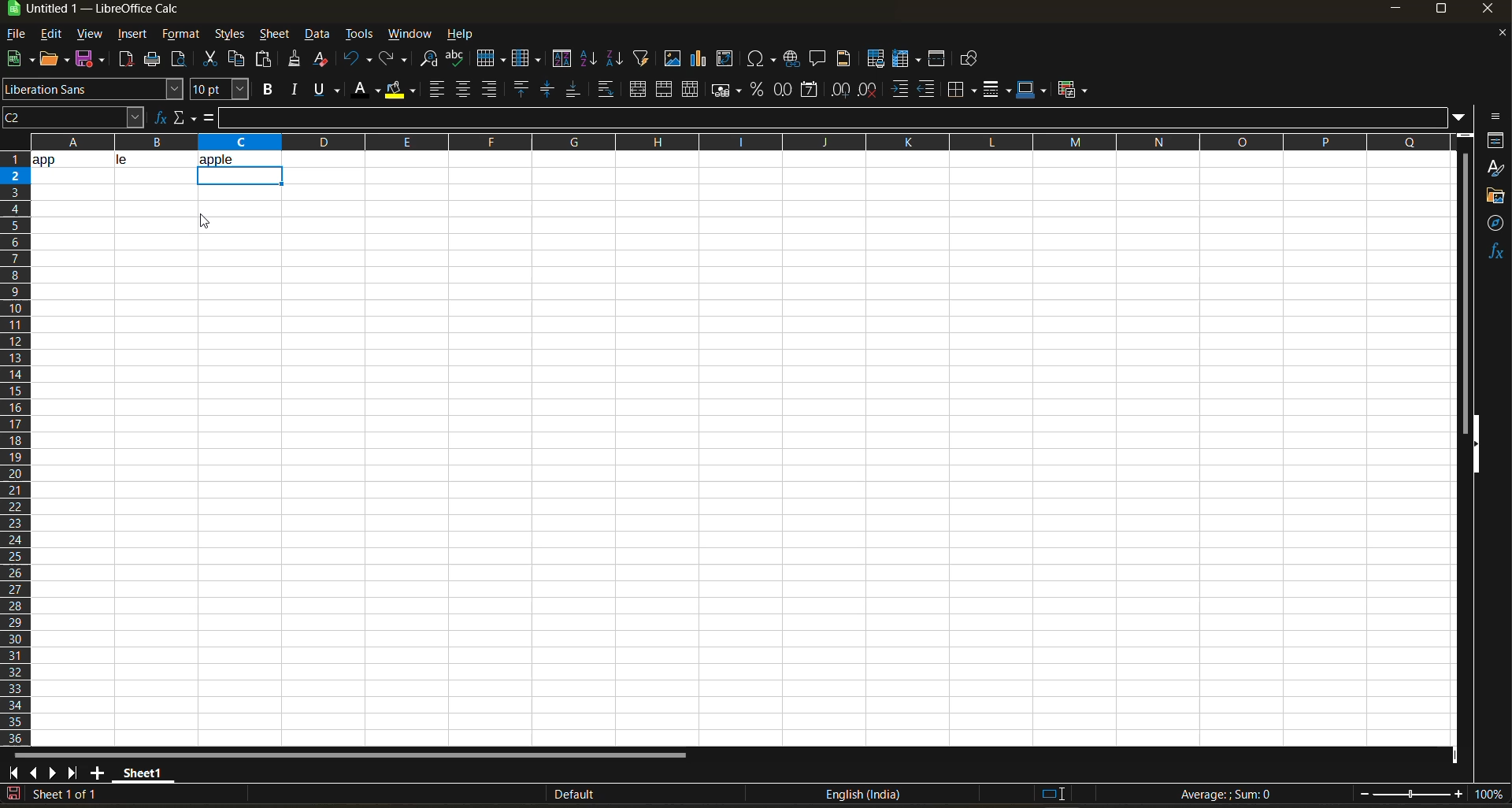 The width and height of the screenshot is (1512, 808). Describe the element at coordinates (1496, 140) in the screenshot. I see `properties` at that location.